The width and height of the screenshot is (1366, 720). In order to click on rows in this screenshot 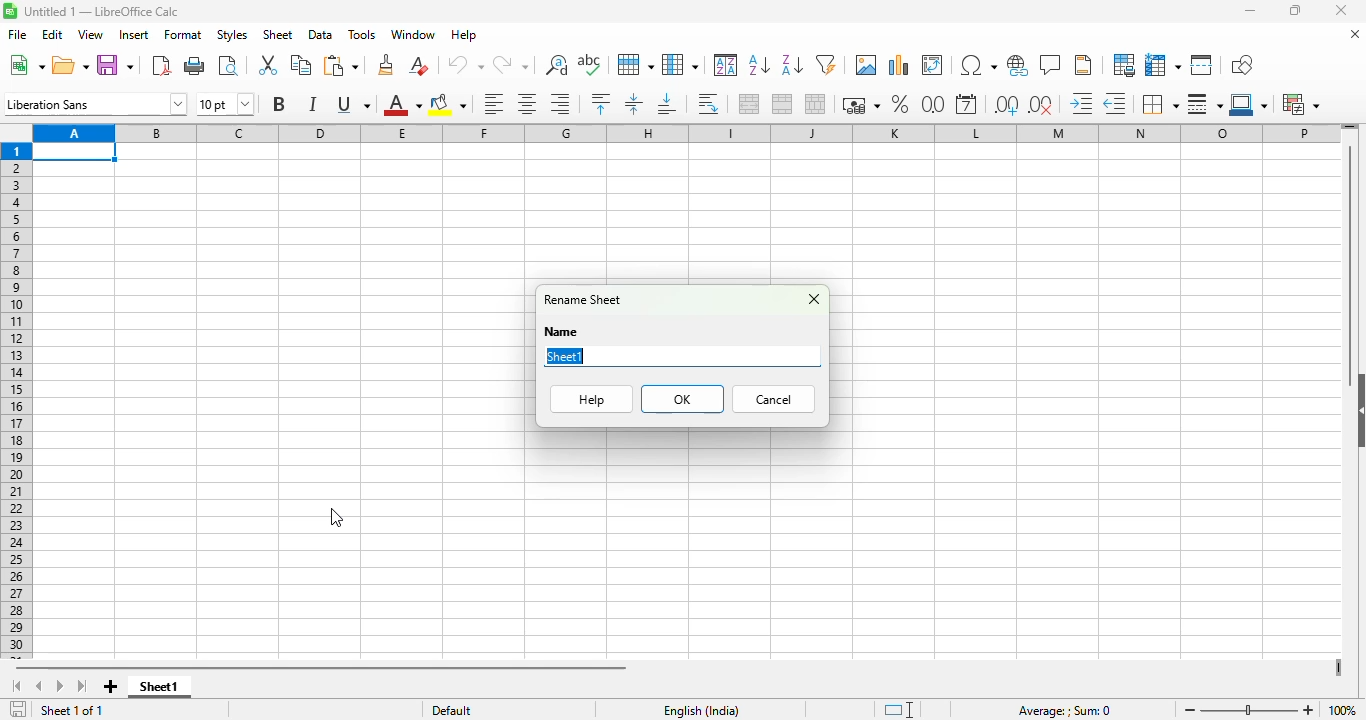, I will do `click(16, 401)`.